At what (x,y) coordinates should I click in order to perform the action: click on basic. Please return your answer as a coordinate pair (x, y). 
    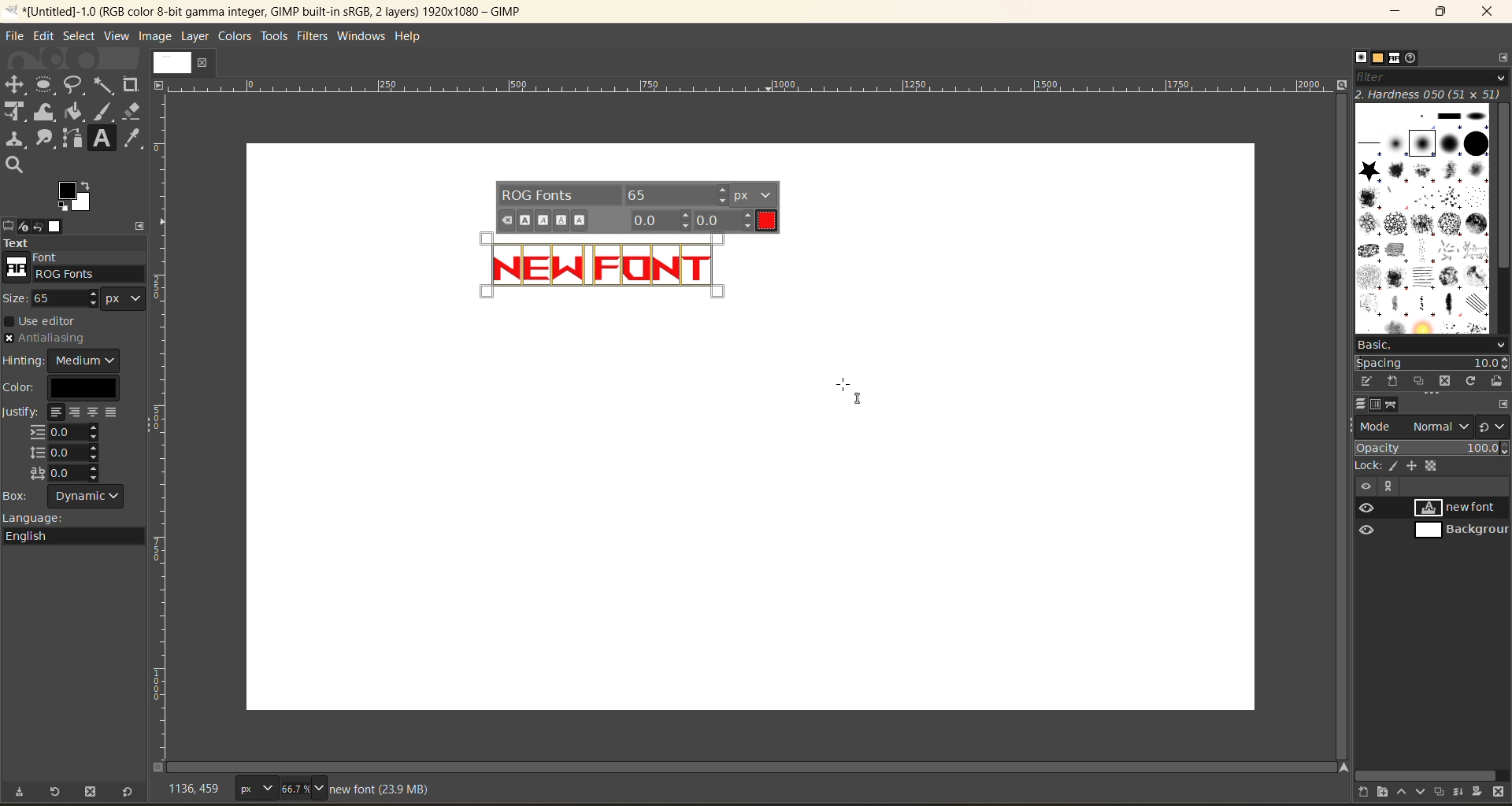
    Looking at the image, I should click on (1432, 346).